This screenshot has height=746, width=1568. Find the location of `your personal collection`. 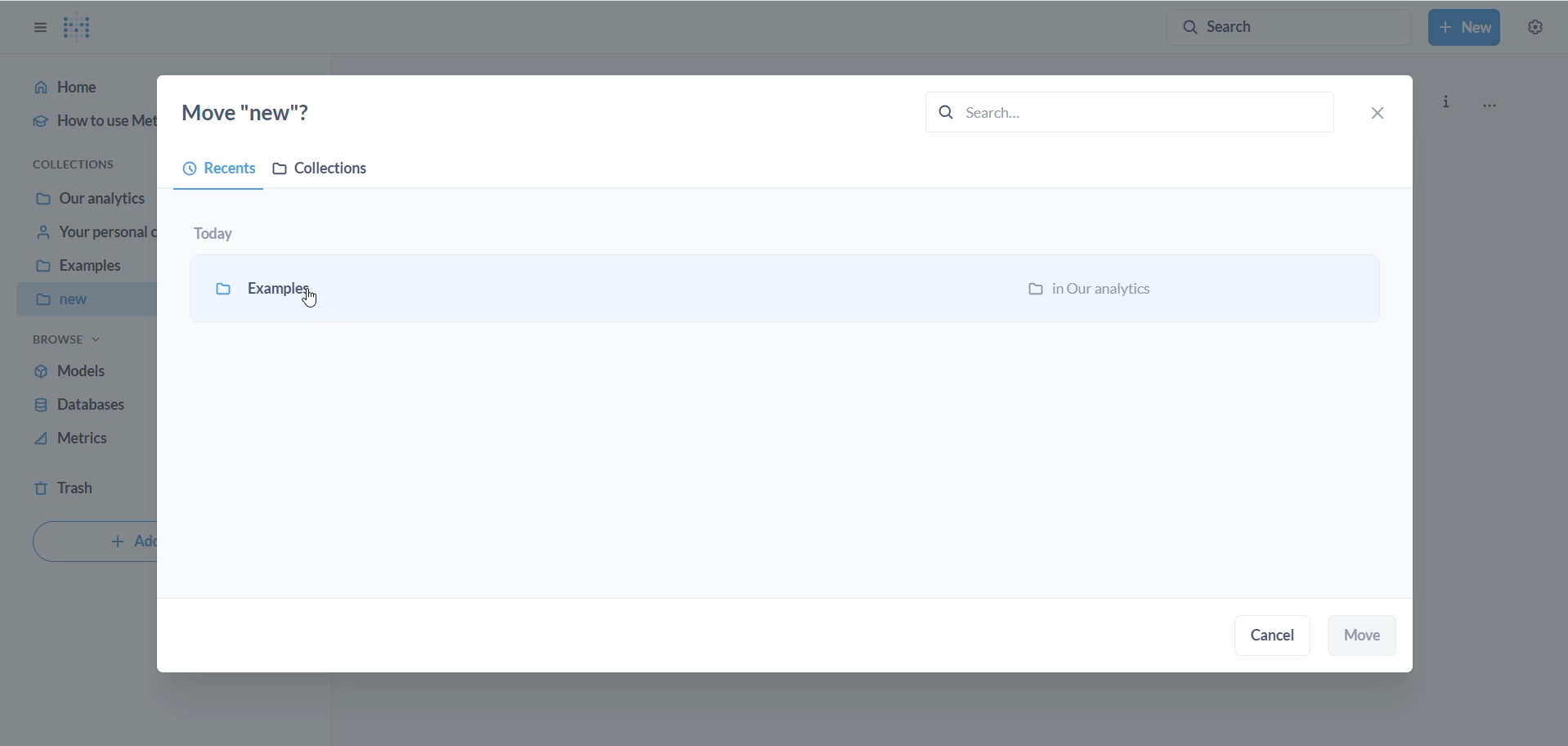

your personal collection is located at coordinates (91, 236).